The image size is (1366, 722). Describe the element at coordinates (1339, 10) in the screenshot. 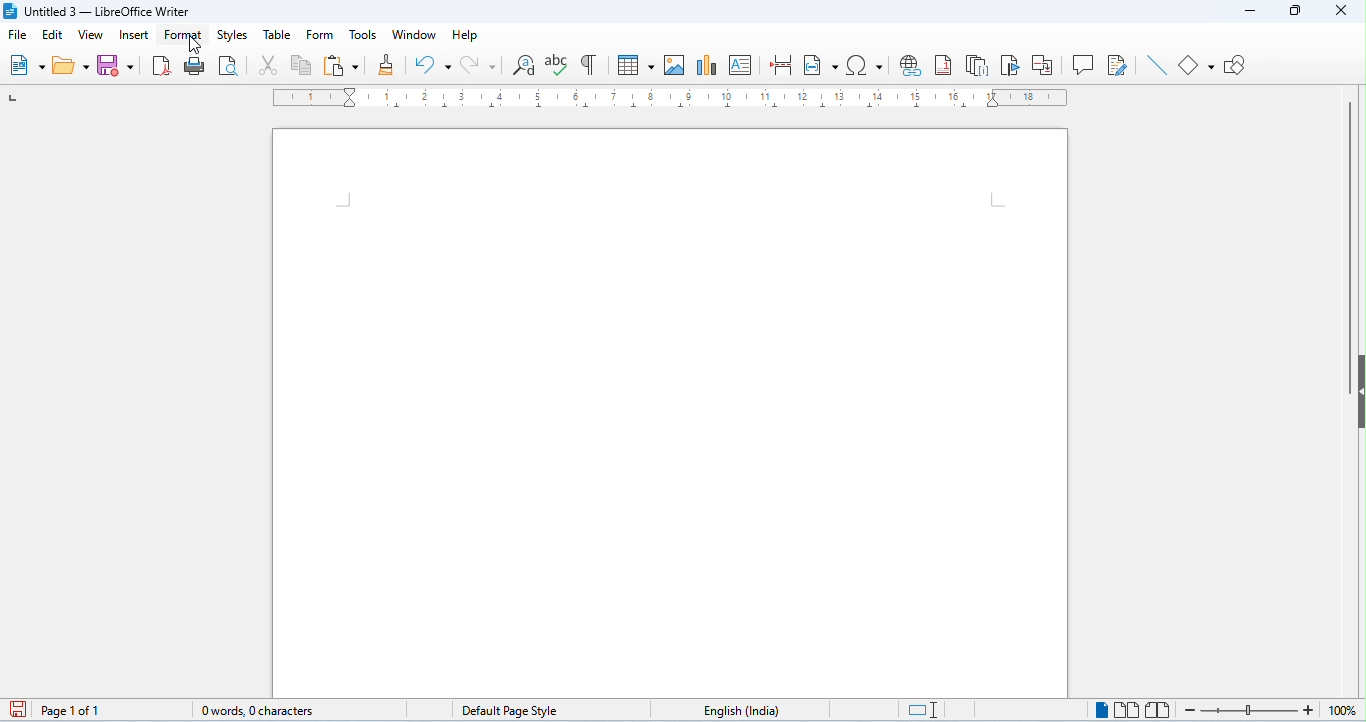

I see `close` at that location.